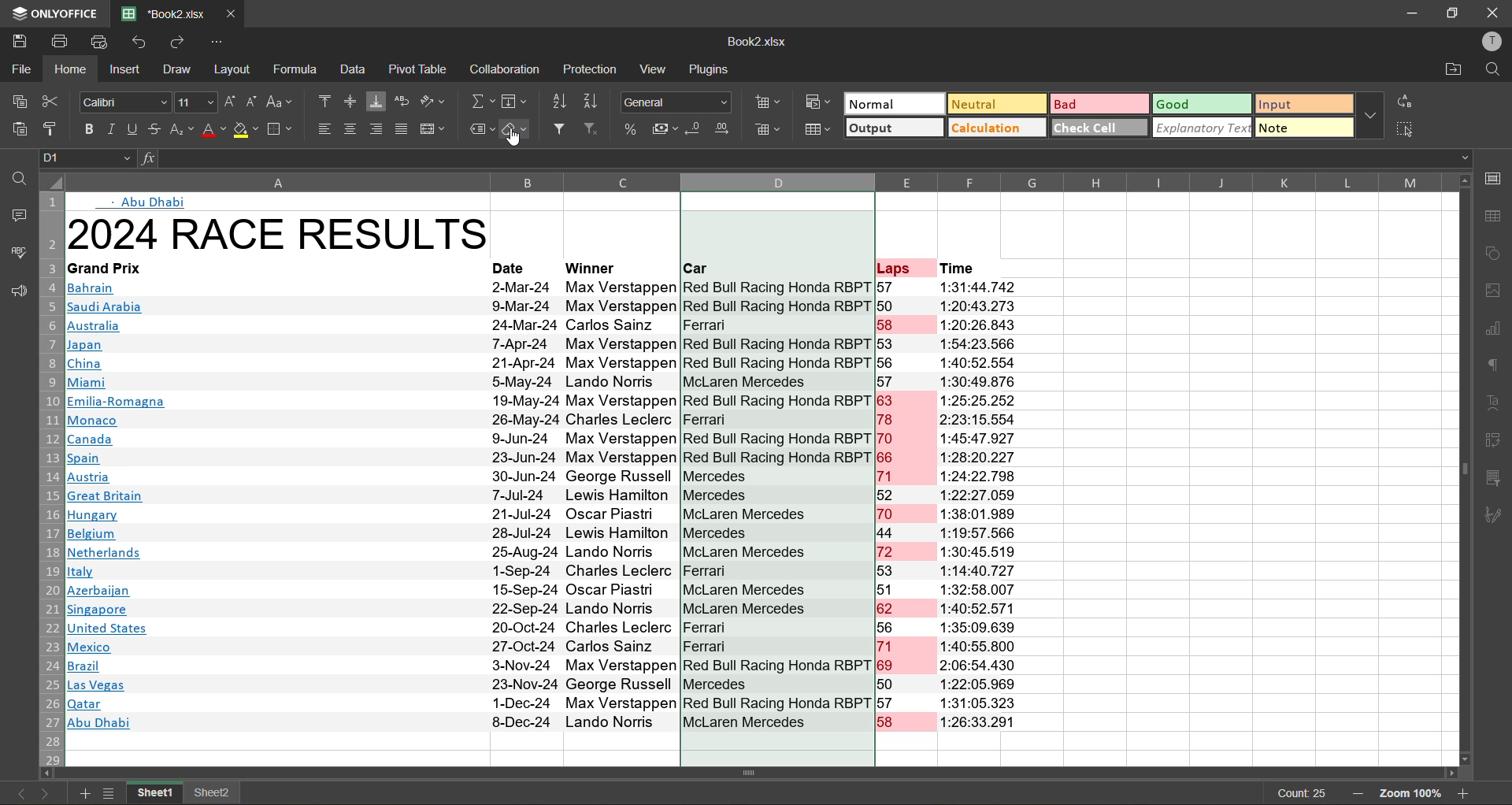 This screenshot has height=805, width=1512. What do you see at coordinates (675, 100) in the screenshot?
I see `General` at bounding box center [675, 100].